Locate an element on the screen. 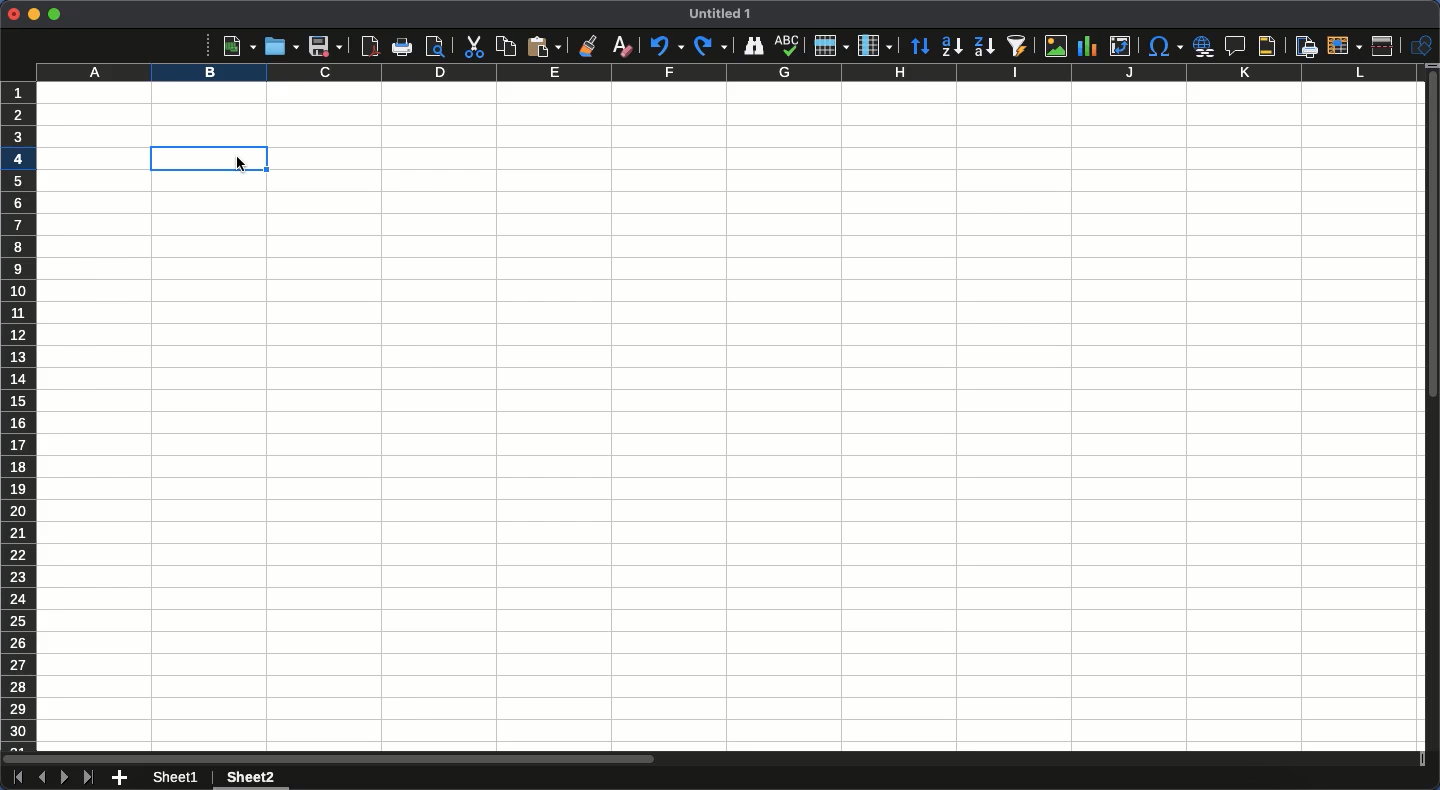 This screenshot has height=790, width=1440. Copy is located at coordinates (506, 46).